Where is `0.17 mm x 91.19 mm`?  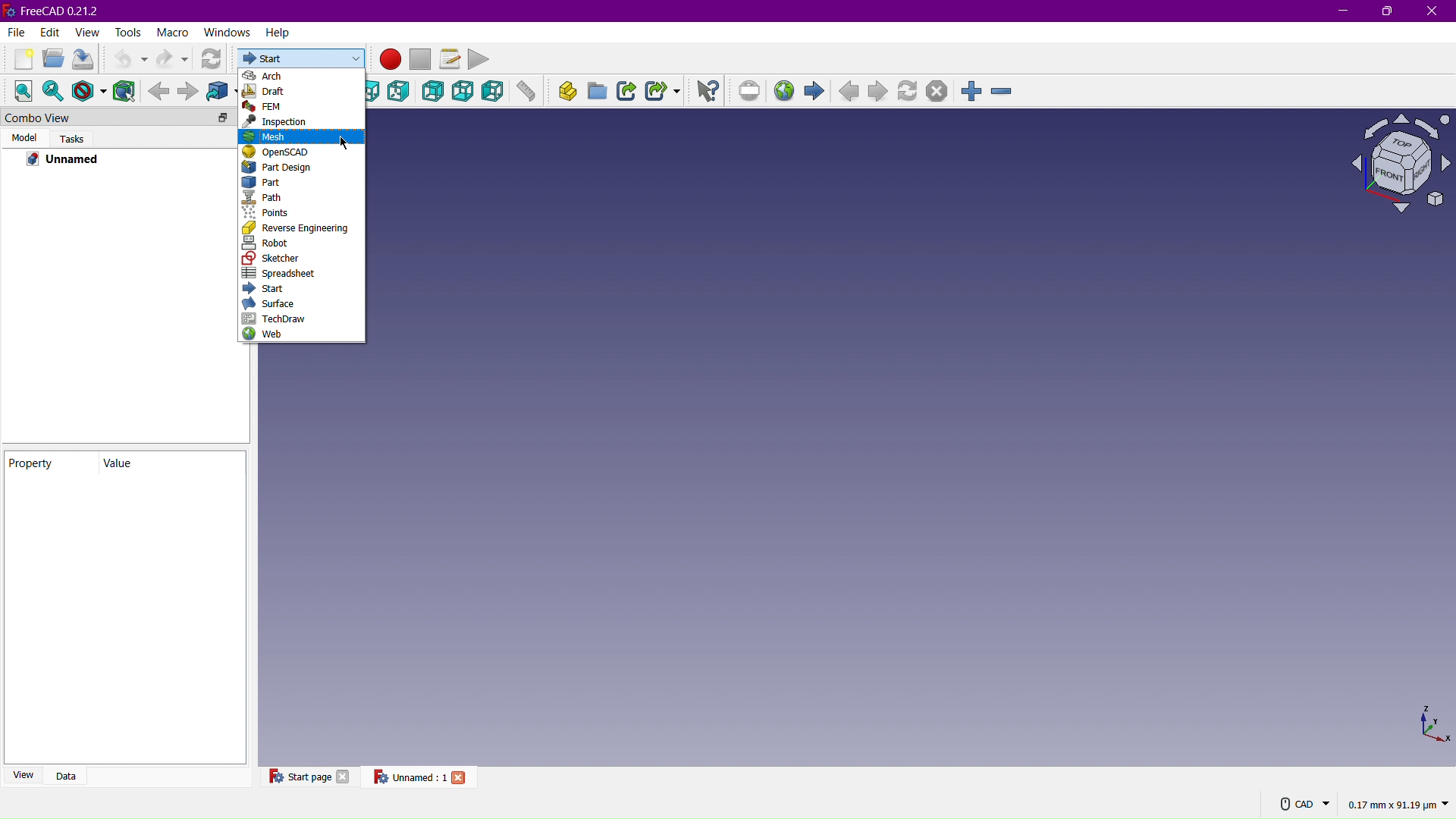
0.17 mm x 91.19 mm is located at coordinates (1398, 805).